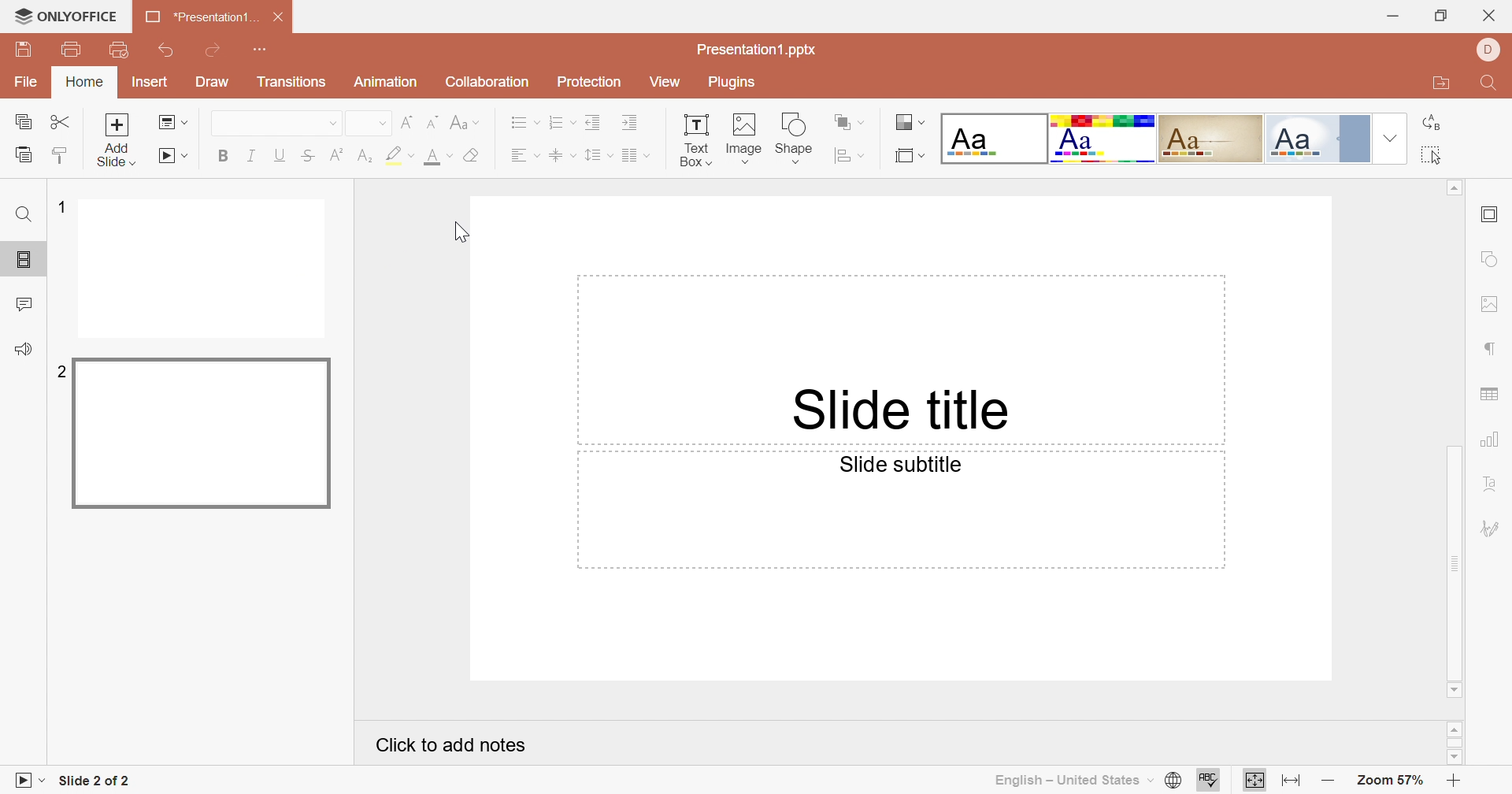 This screenshot has height=794, width=1512. Describe the element at coordinates (466, 120) in the screenshot. I see `Change case` at that location.